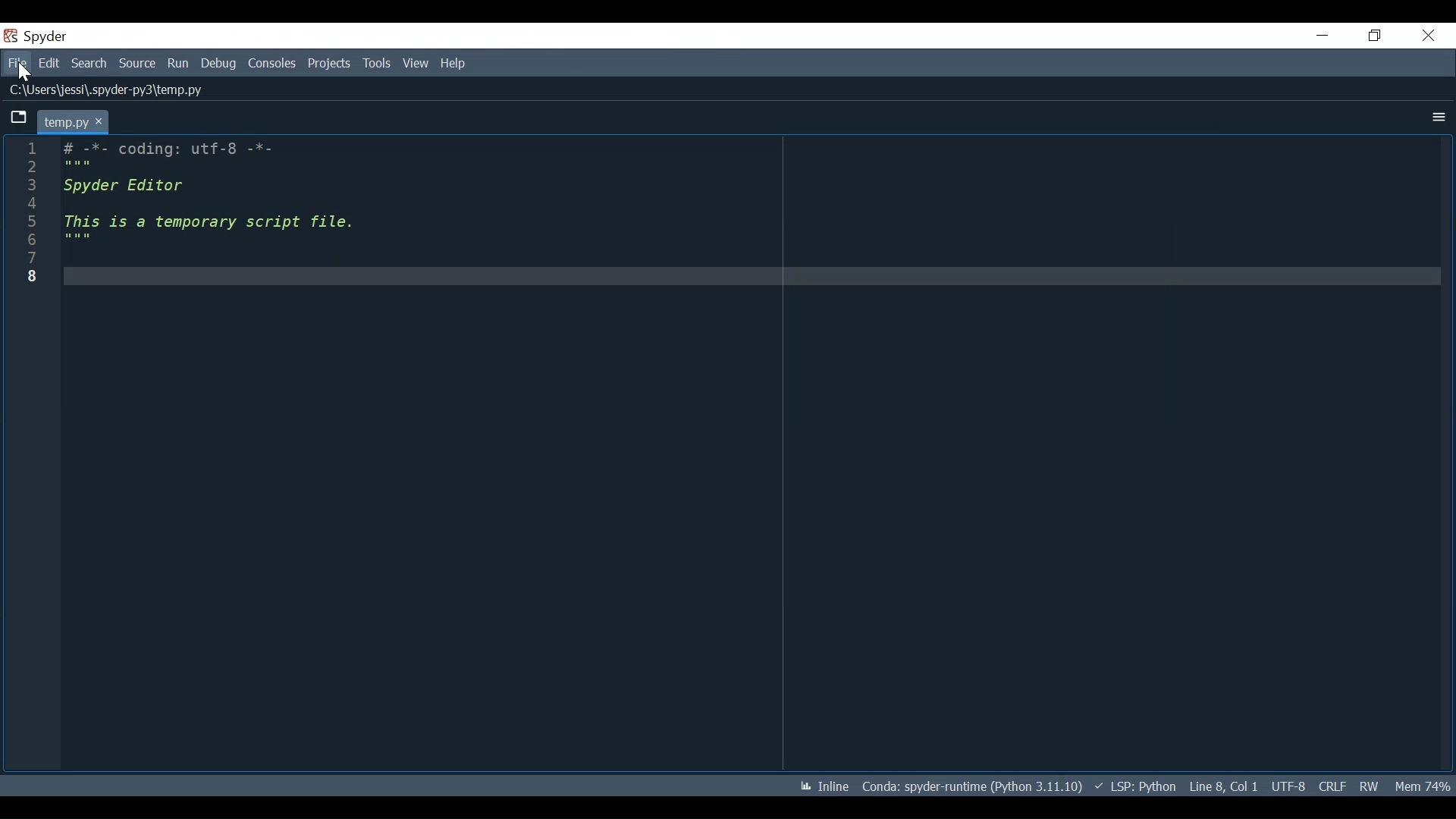  Describe the element at coordinates (453, 64) in the screenshot. I see `Help` at that location.